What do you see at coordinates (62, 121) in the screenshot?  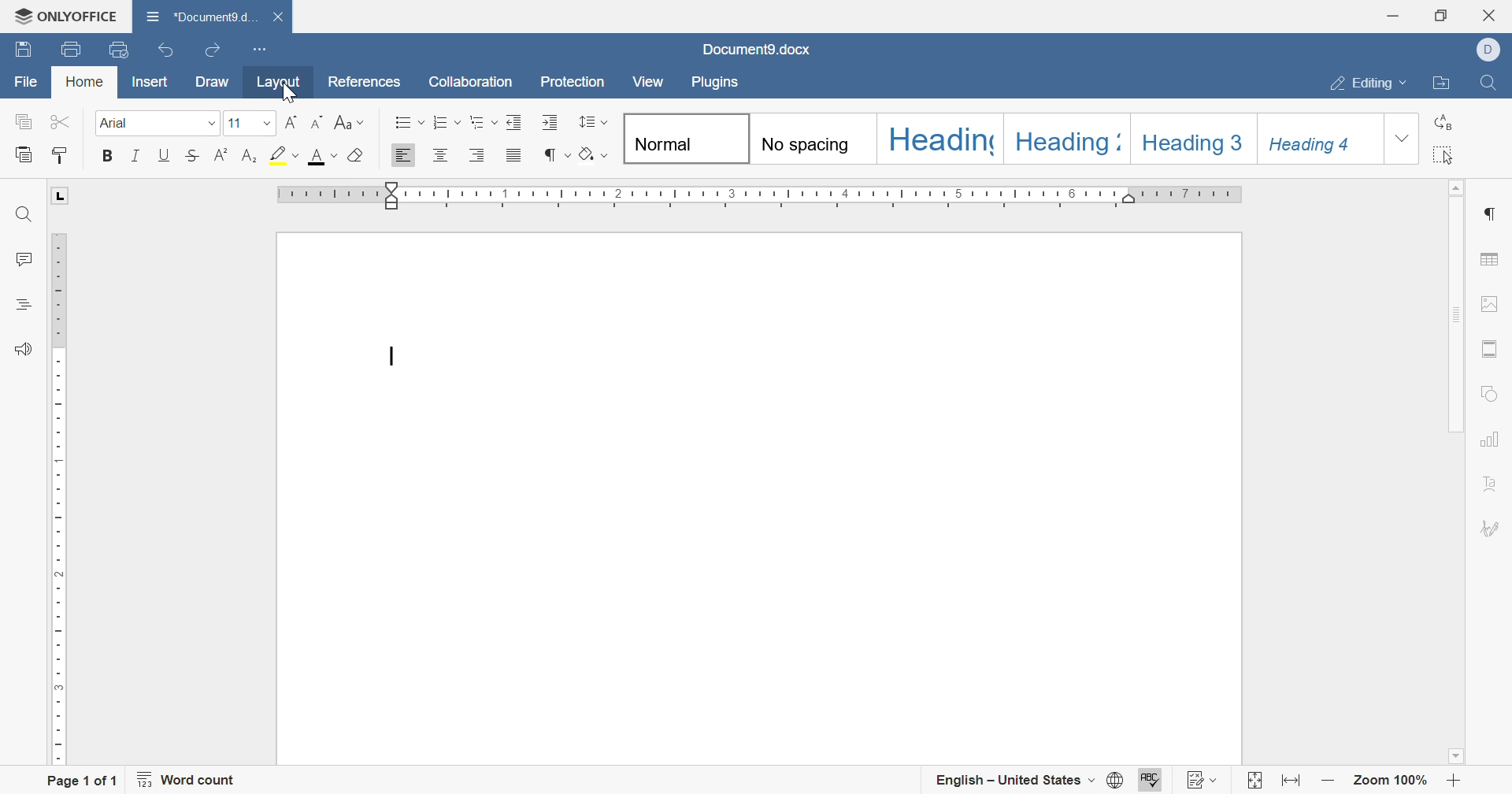 I see `cut` at bounding box center [62, 121].